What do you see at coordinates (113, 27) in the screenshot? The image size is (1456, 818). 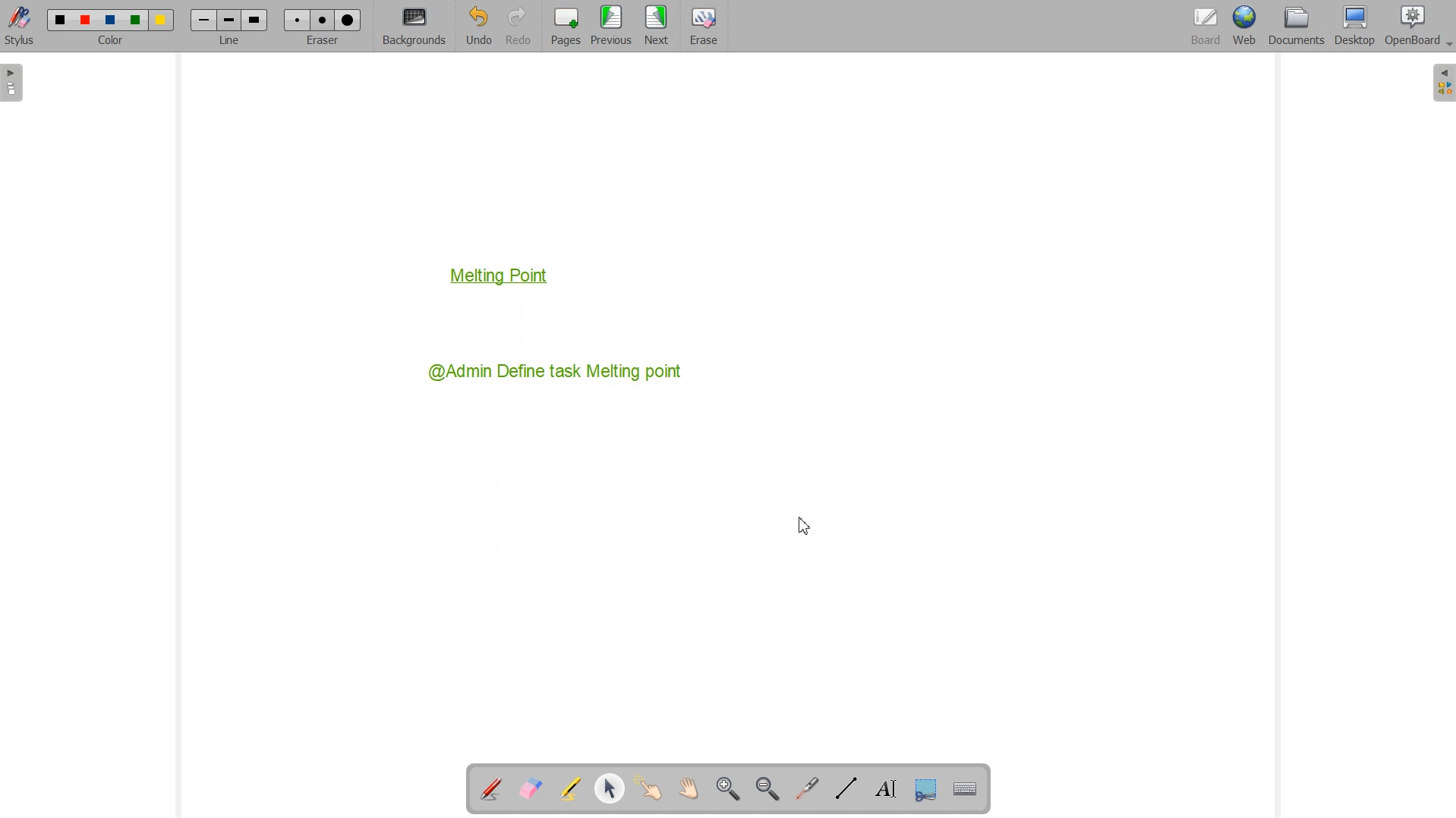 I see `Color` at bounding box center [113, 27].